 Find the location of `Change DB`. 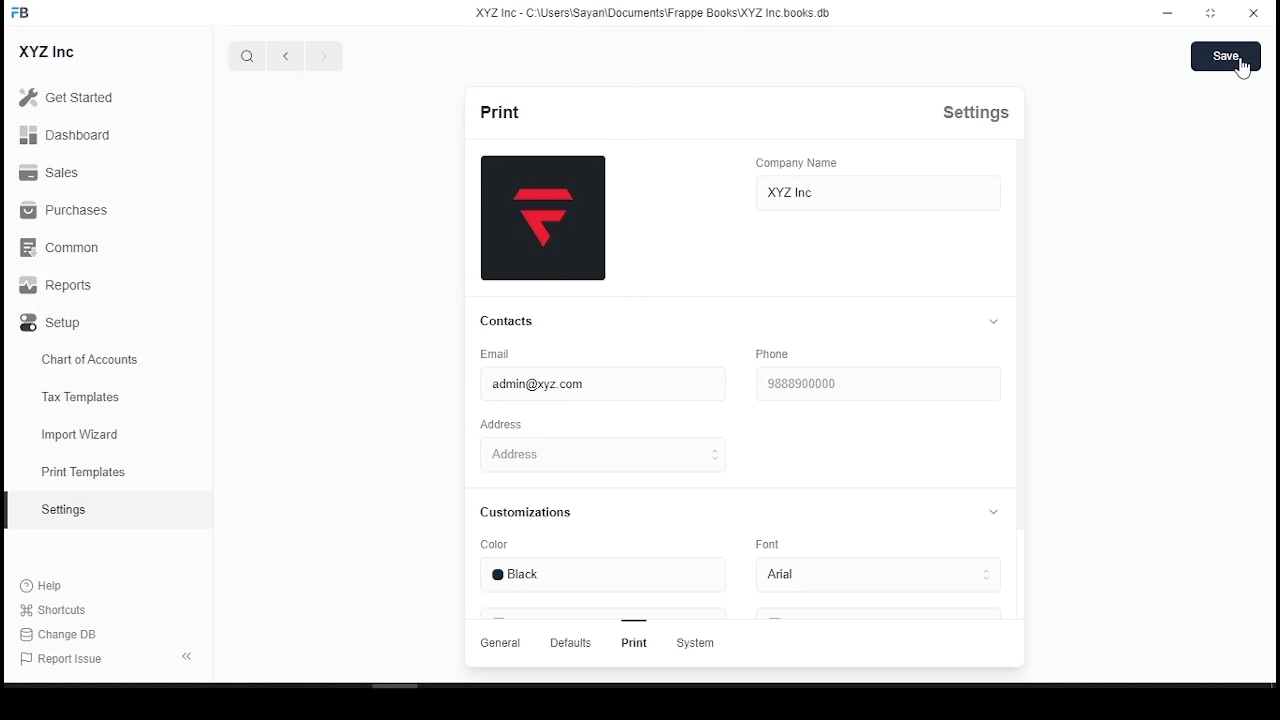

Change DB is located at coordinates (61, 634).